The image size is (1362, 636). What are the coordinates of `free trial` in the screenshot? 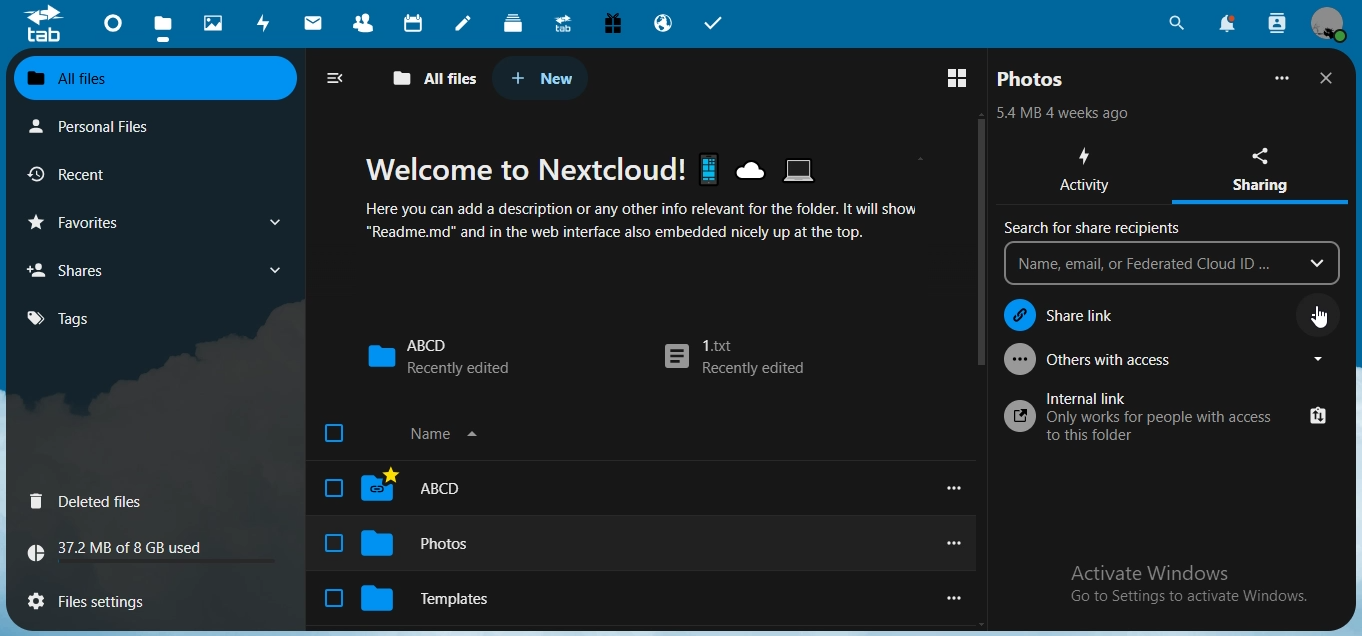 It's located at (613, 24).